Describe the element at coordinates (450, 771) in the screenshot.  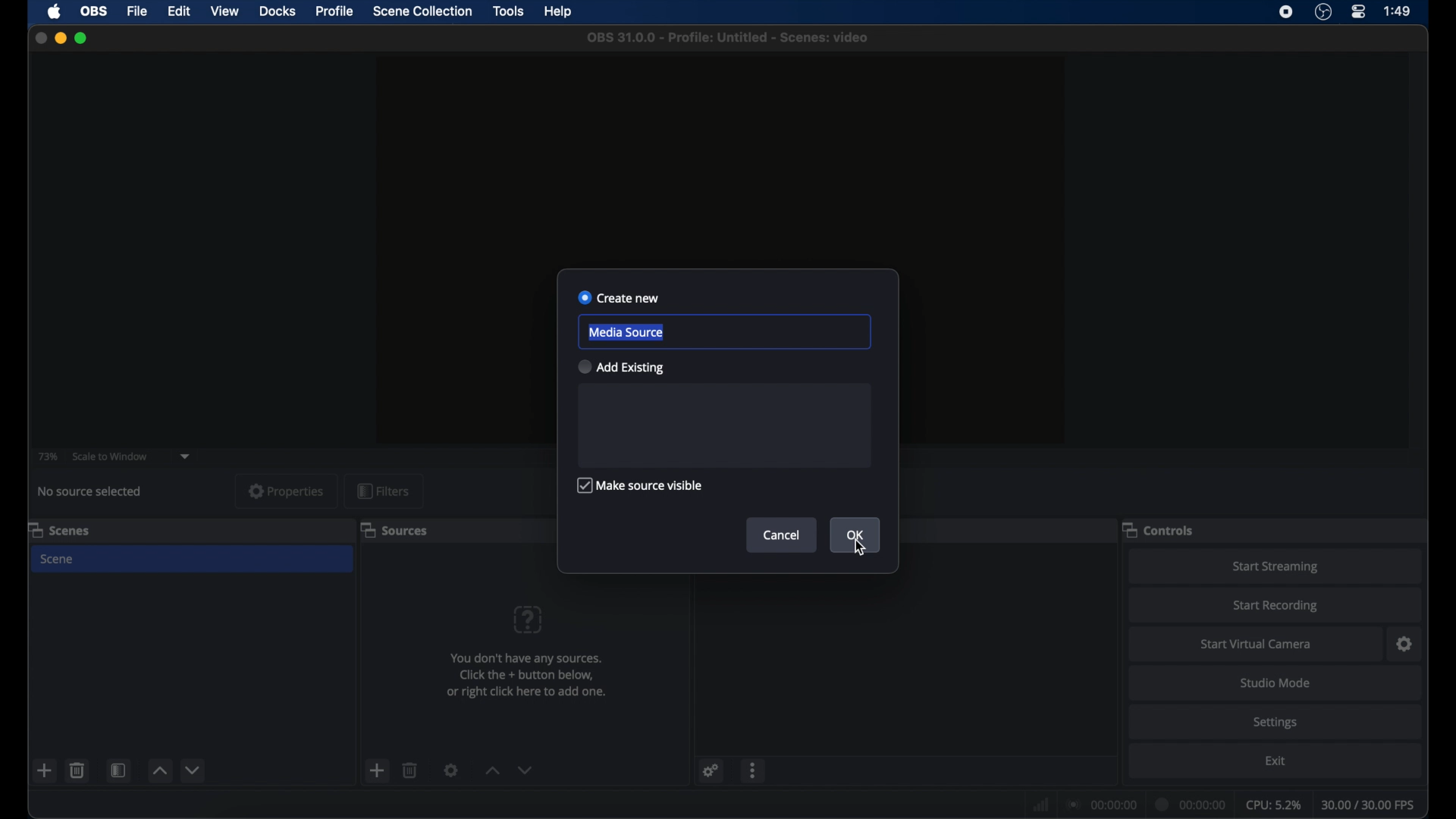
I see `settings` at that location.